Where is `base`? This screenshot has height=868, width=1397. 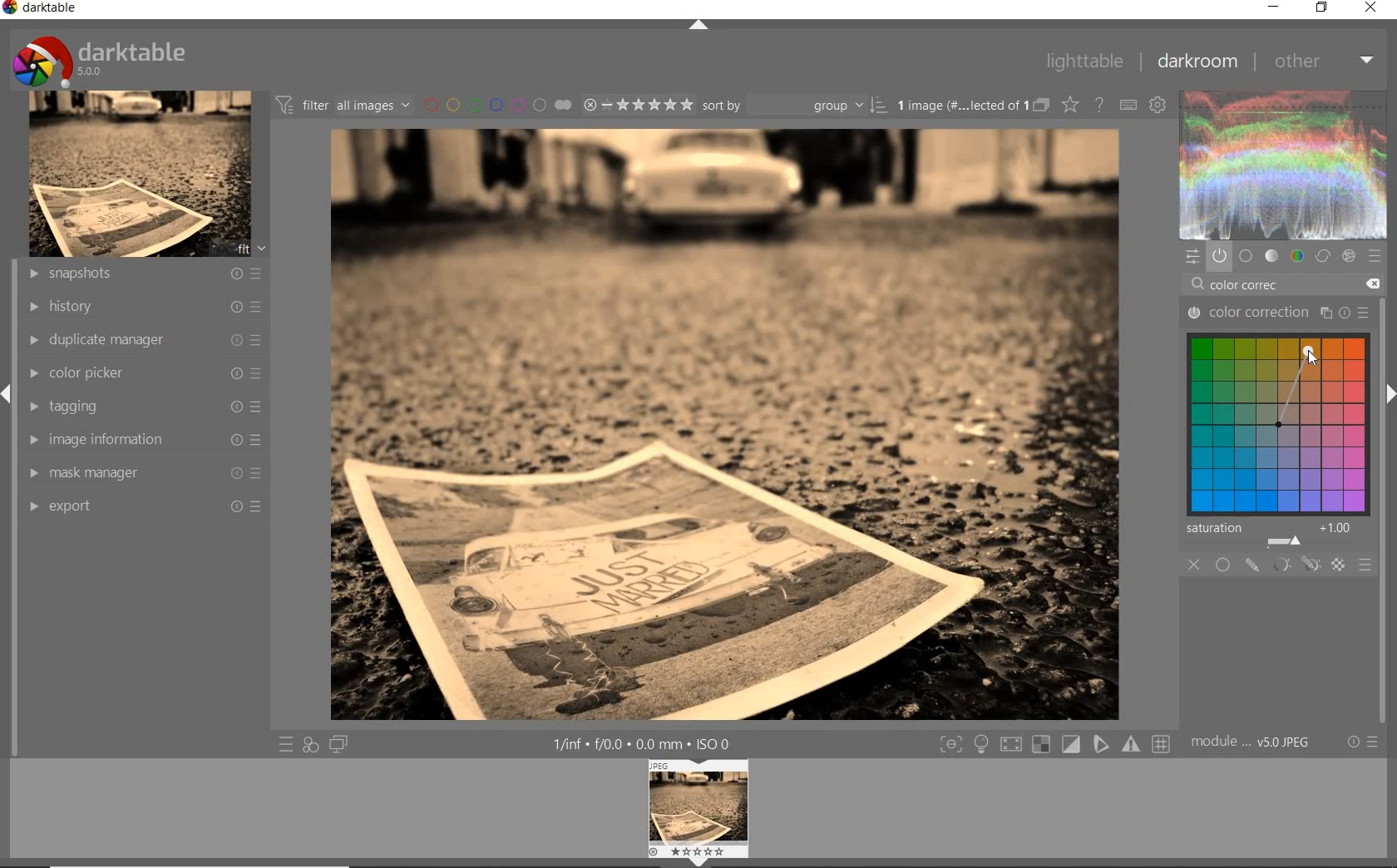
base is located at coordinates (1246, 257).